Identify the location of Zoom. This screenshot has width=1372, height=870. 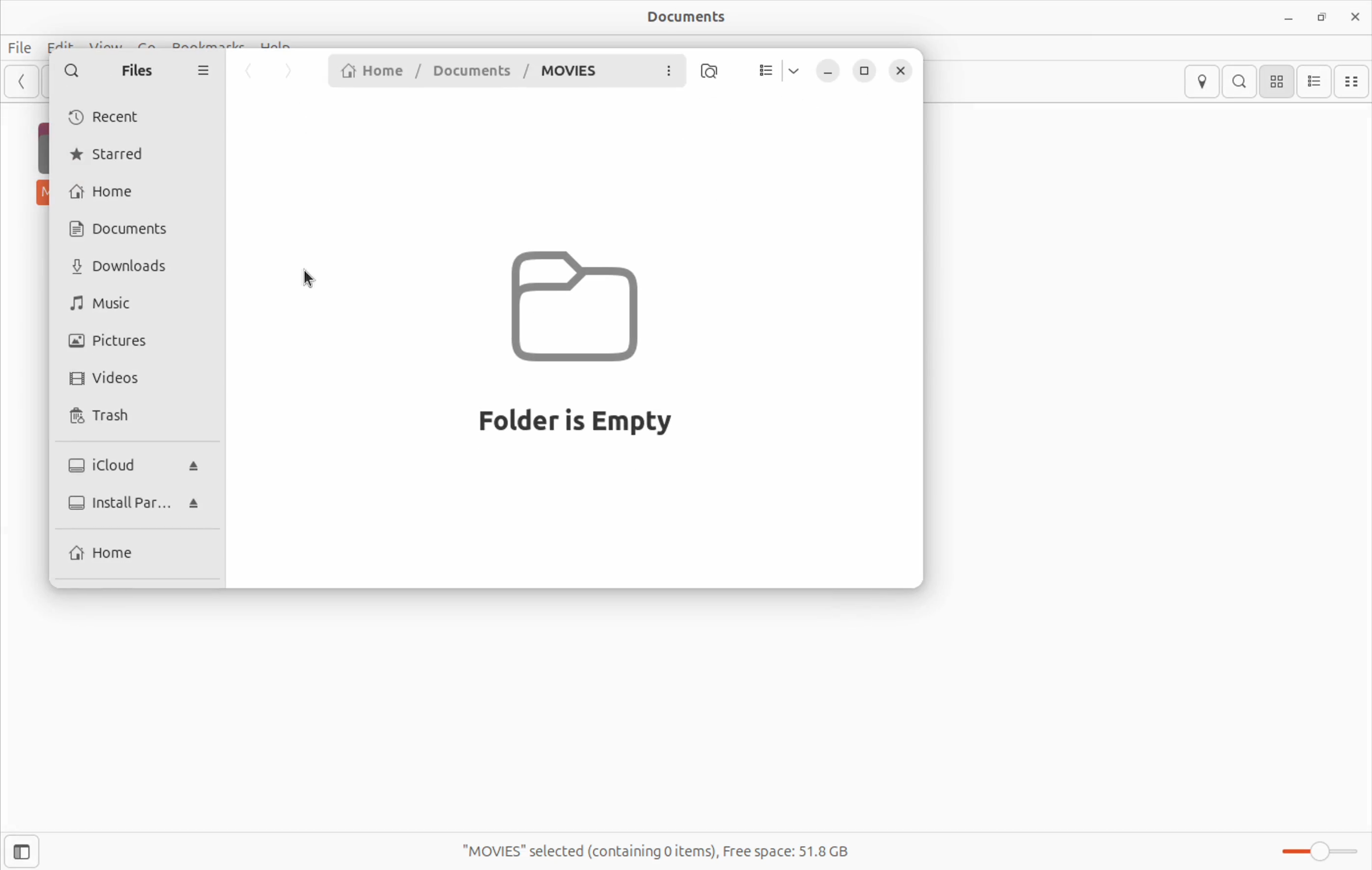
(1316, 853).